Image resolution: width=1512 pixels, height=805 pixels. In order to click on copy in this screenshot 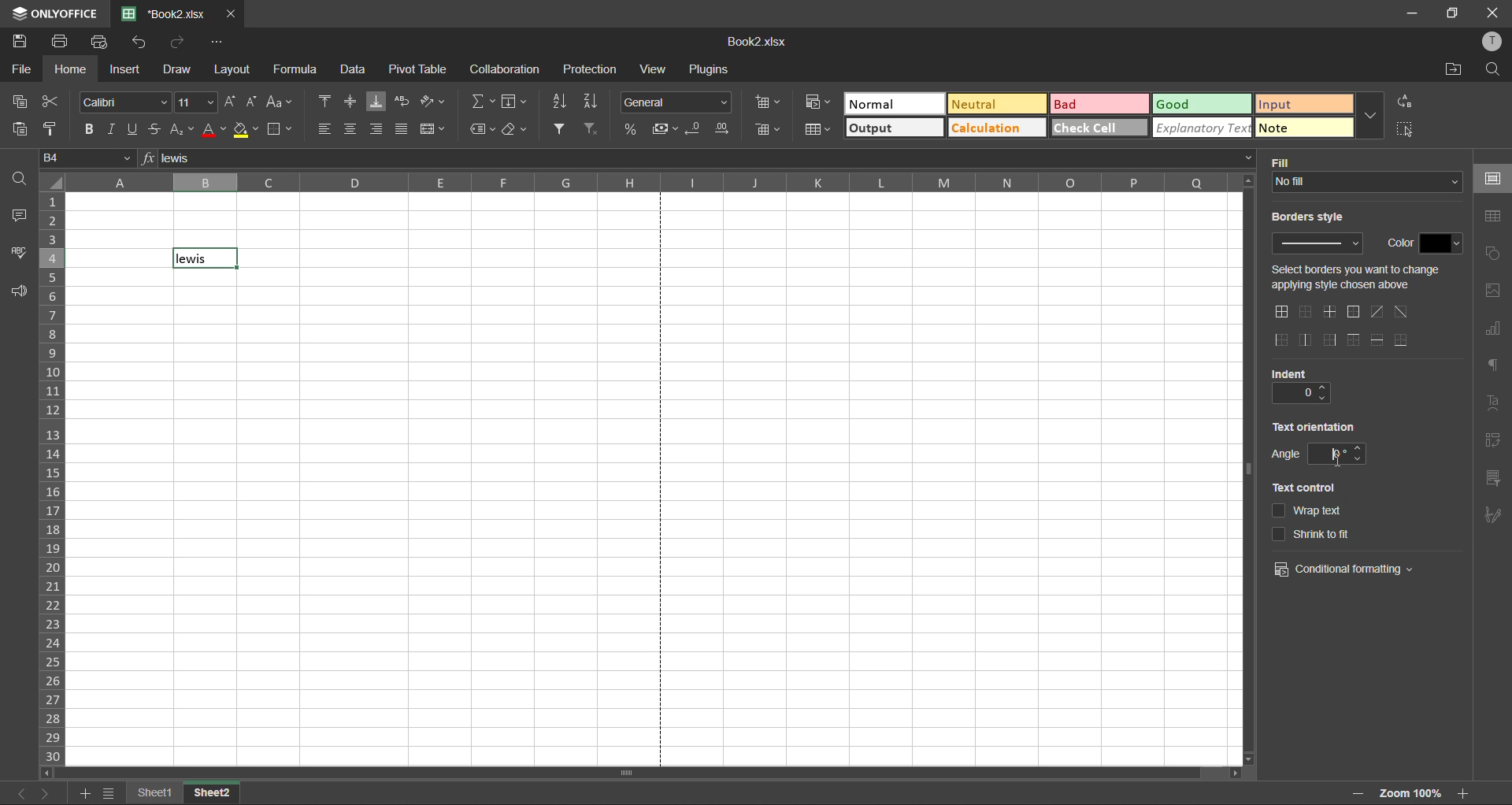, I will do `click(23, 102)`.